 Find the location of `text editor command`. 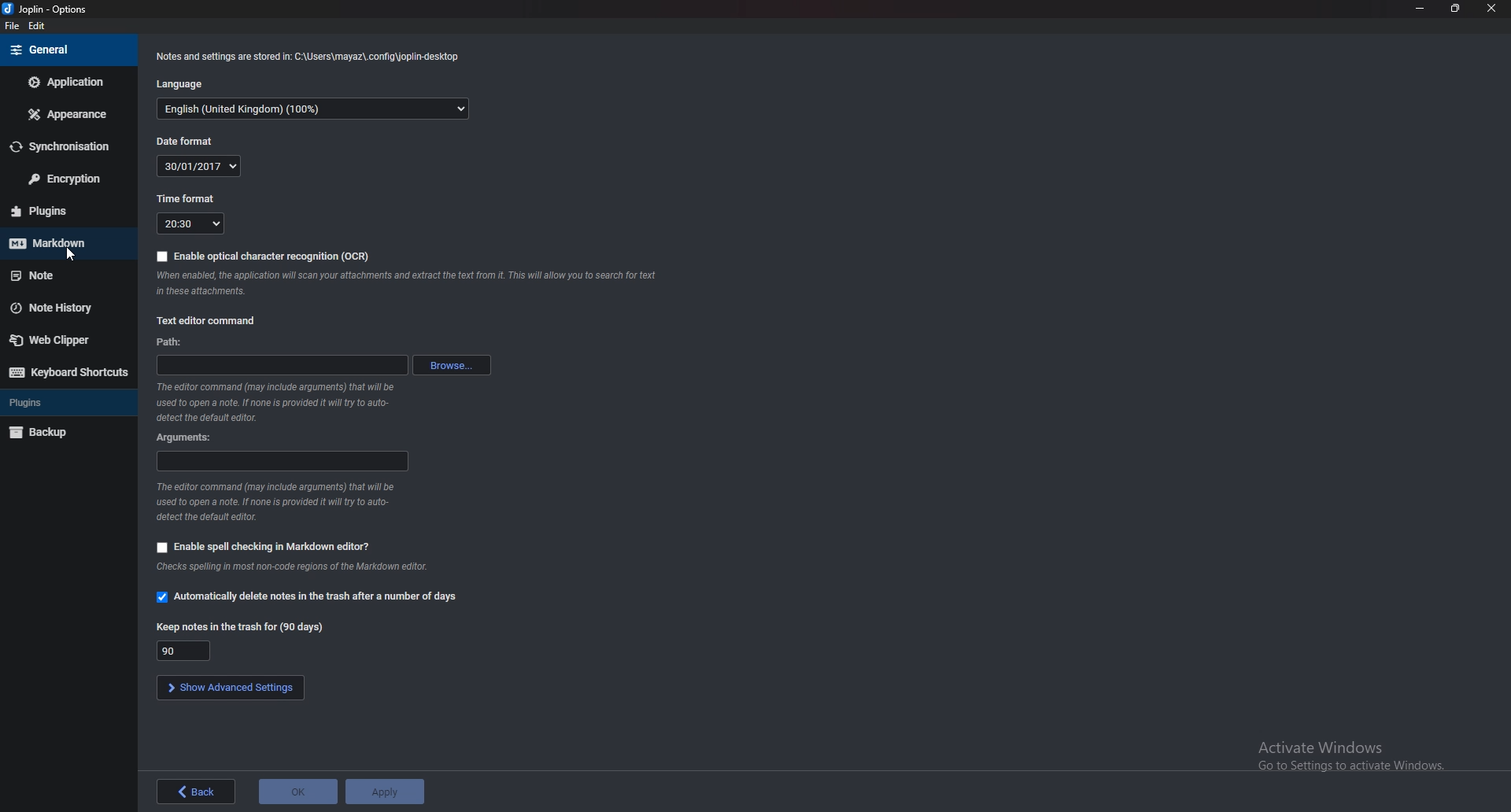

text editor command is located at coordinates (209, 319).